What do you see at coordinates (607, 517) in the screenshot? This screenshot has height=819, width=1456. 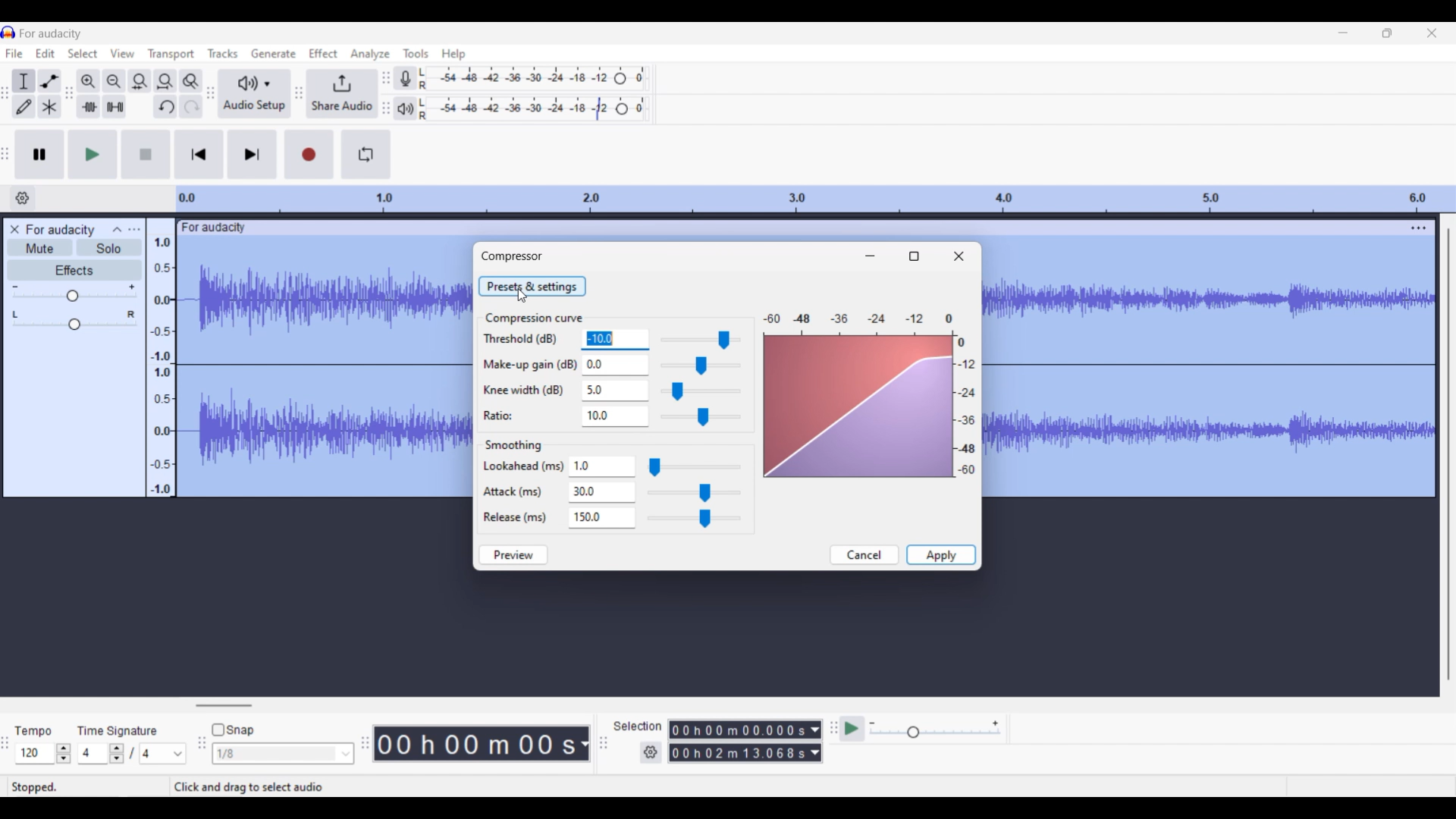 I see `Text box for release ` at bounding box center [607, 517].